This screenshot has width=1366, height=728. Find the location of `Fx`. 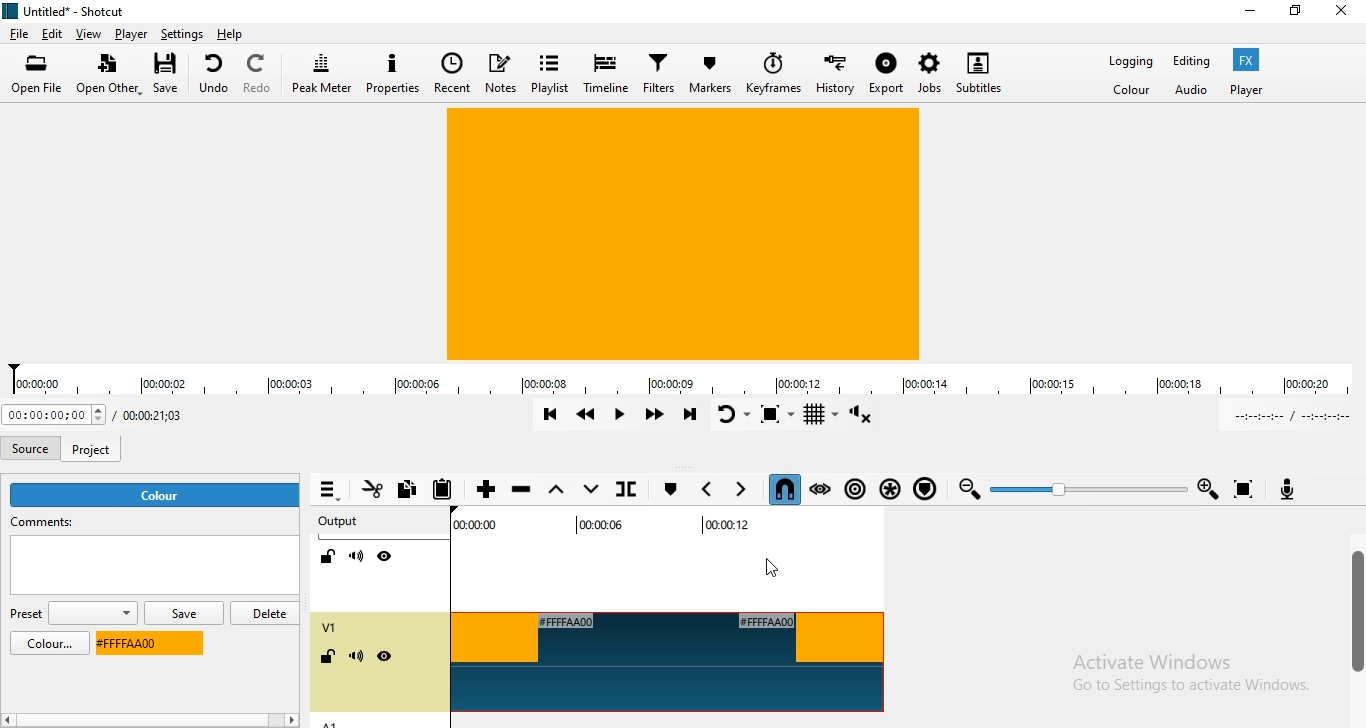

Fx is located at coordinates (1245, 60).